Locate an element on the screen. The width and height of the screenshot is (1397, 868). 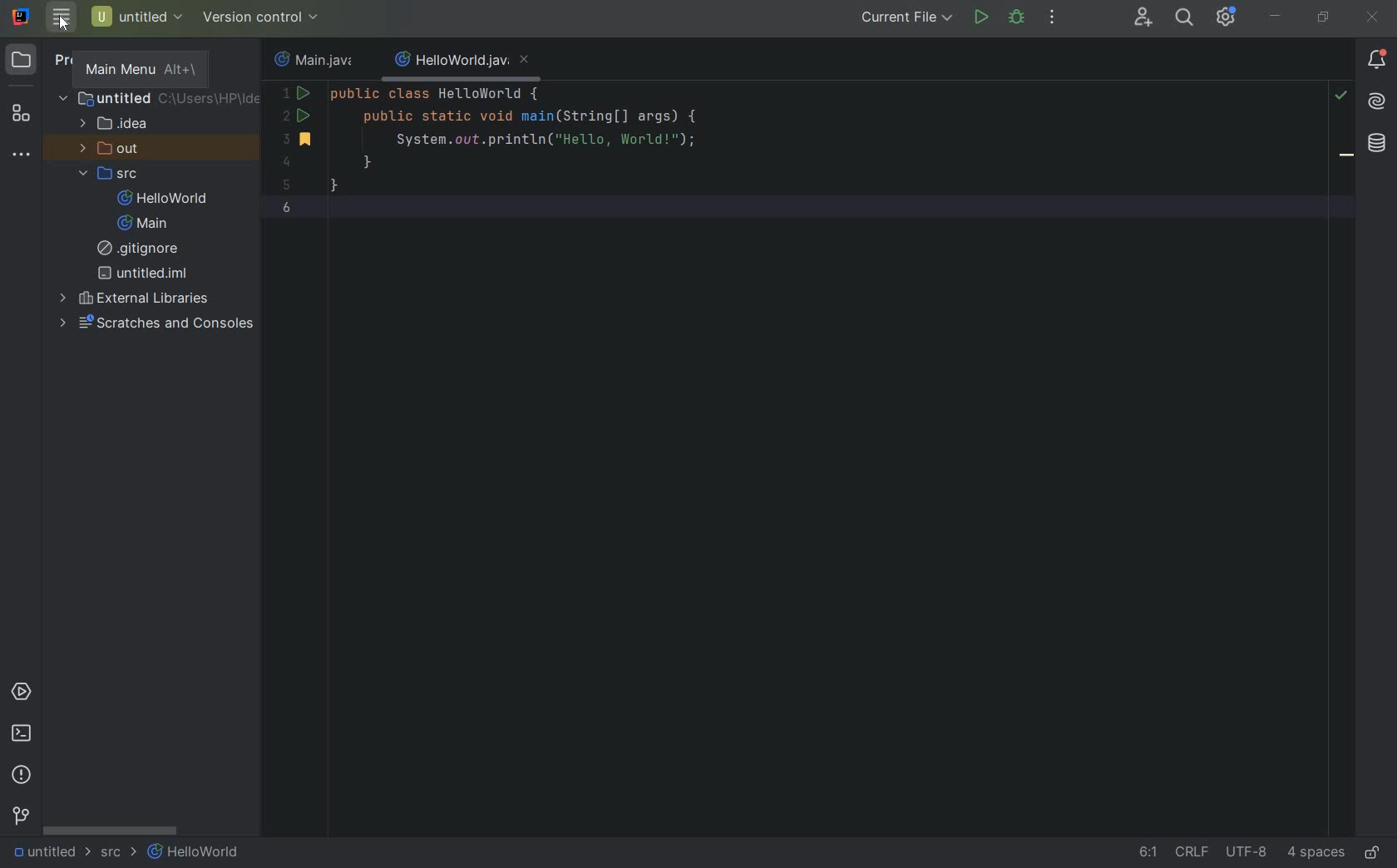
code with me is located at coordinates (1144, 16).